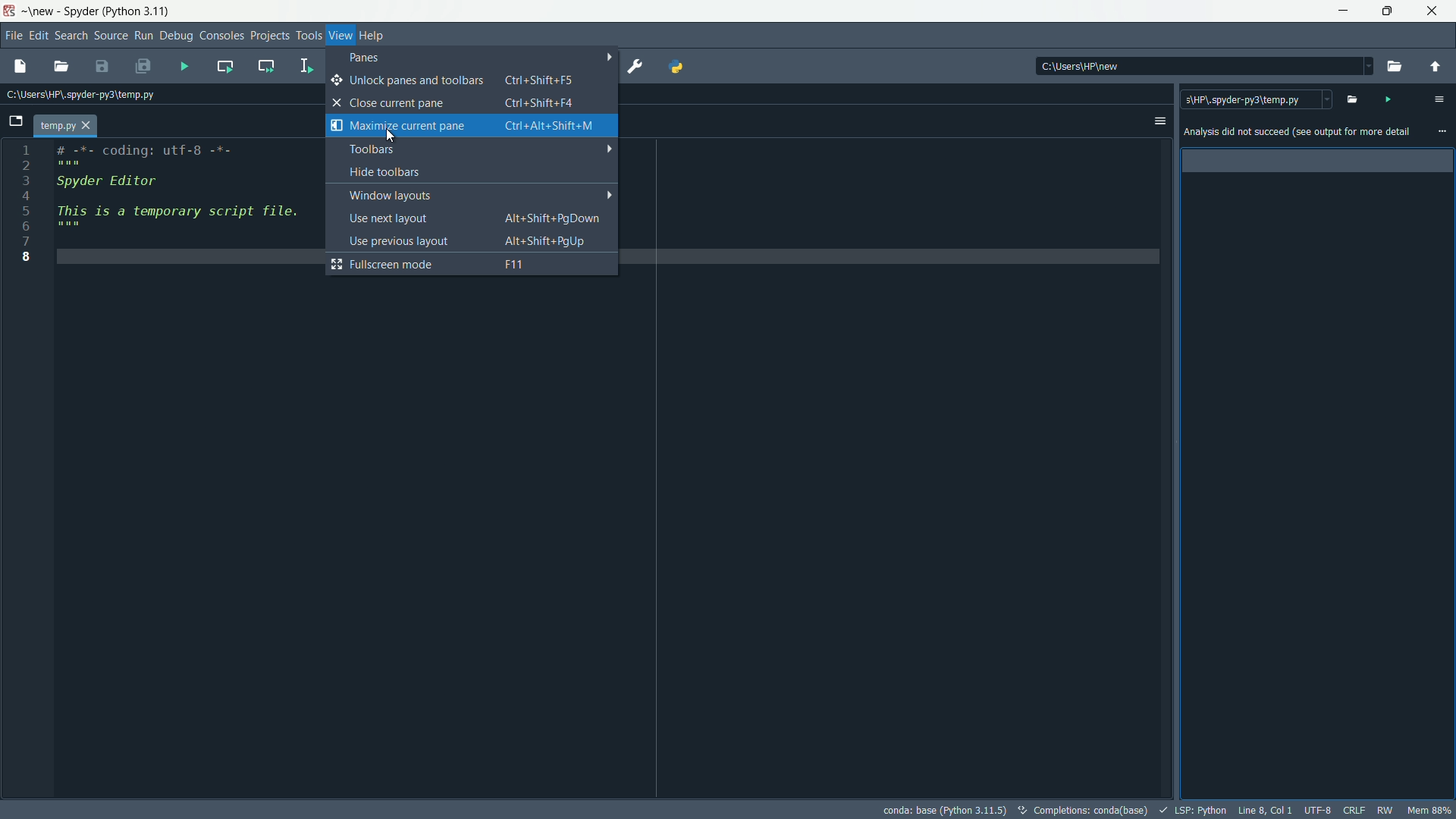 The width and height of the screenshot is (1456, 819). What do you see at coordinates (102, 65) in the screenshot?
I see `save file` at bounding box center [102, 65].